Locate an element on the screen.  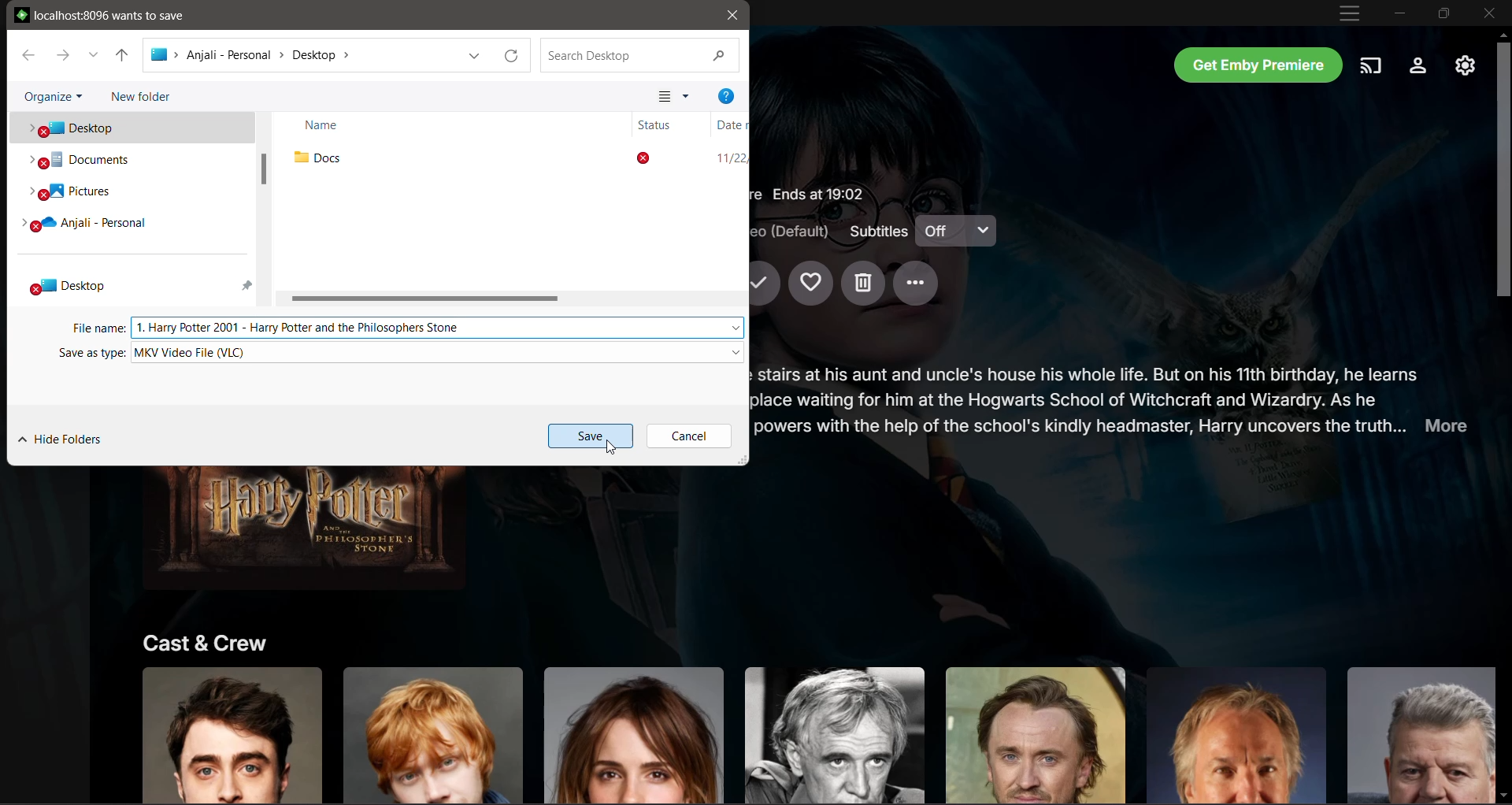
Personal folder is located at coordinates (129, 224).